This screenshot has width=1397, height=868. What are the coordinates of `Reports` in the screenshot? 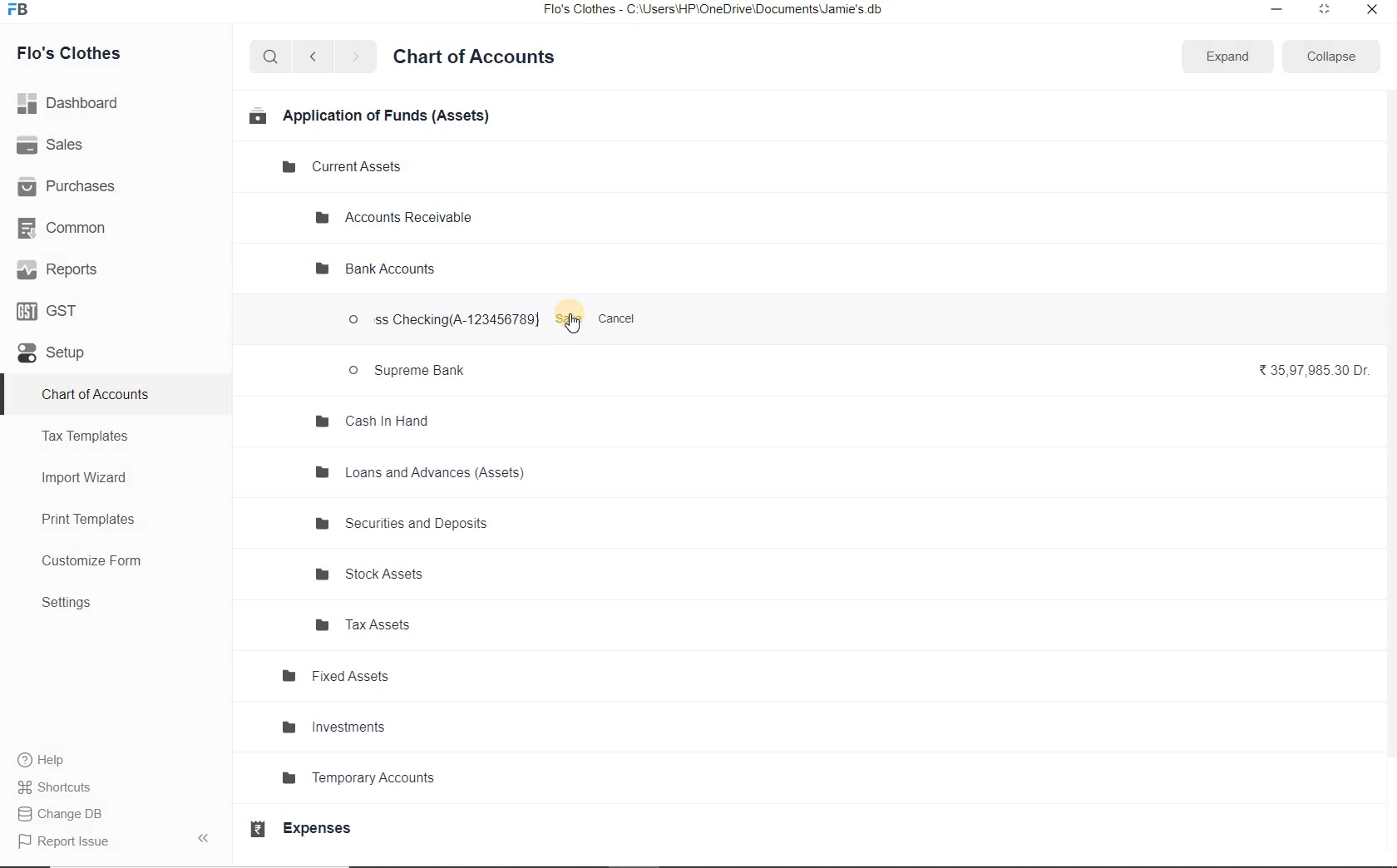 It's located at (58, 270).